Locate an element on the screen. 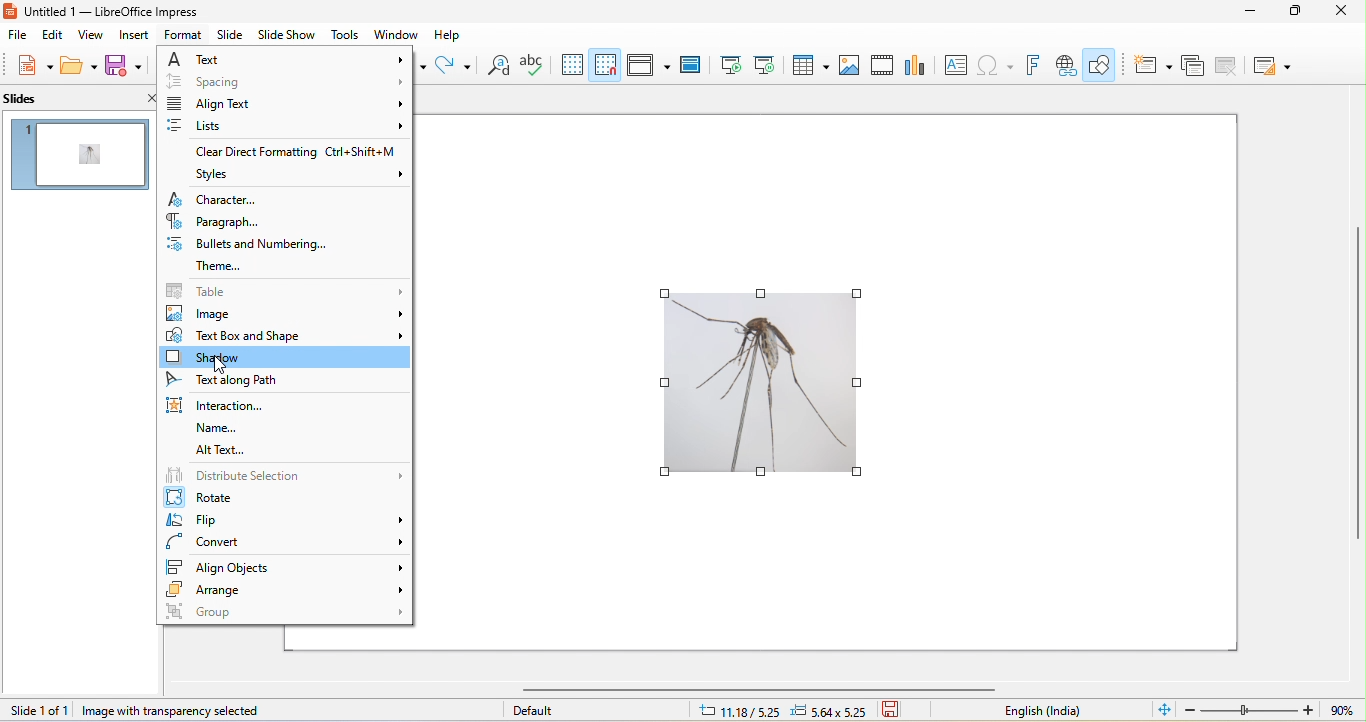 The width and height of the screenshot is (1366, 722). shadow is located at coordinates (283, 356).